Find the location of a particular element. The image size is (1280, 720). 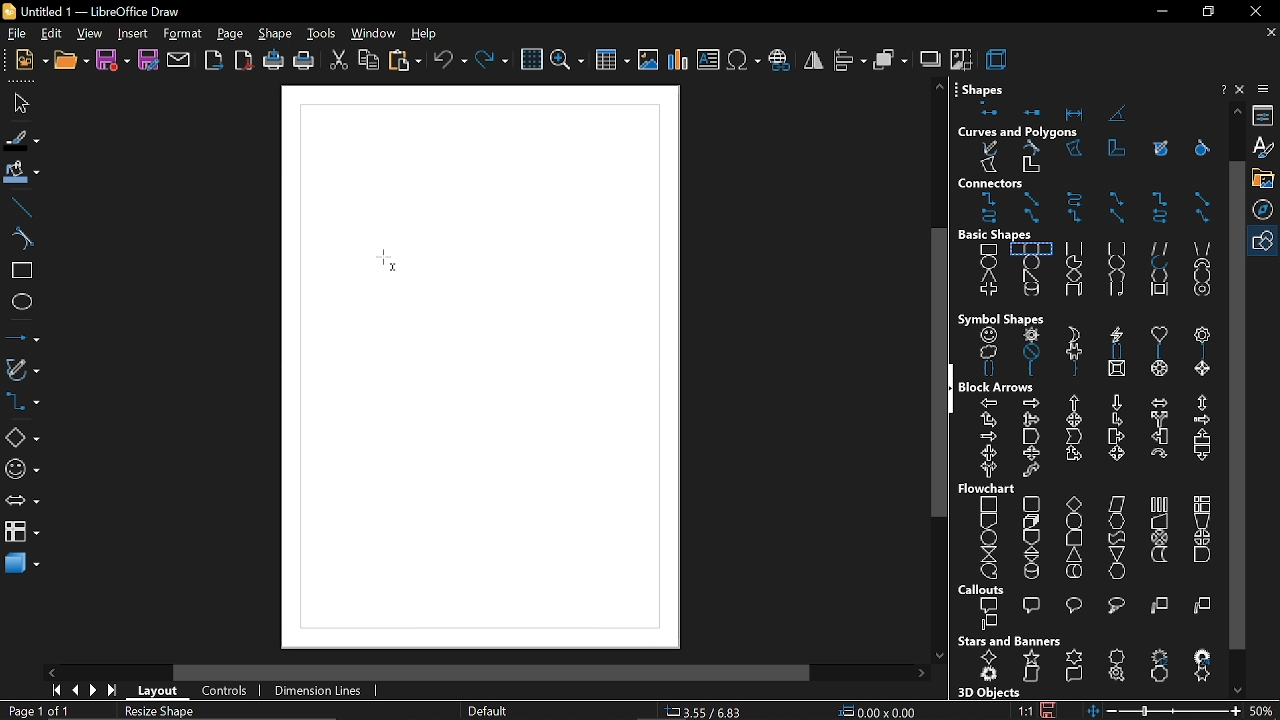

position is located at coordinates (877, 712).